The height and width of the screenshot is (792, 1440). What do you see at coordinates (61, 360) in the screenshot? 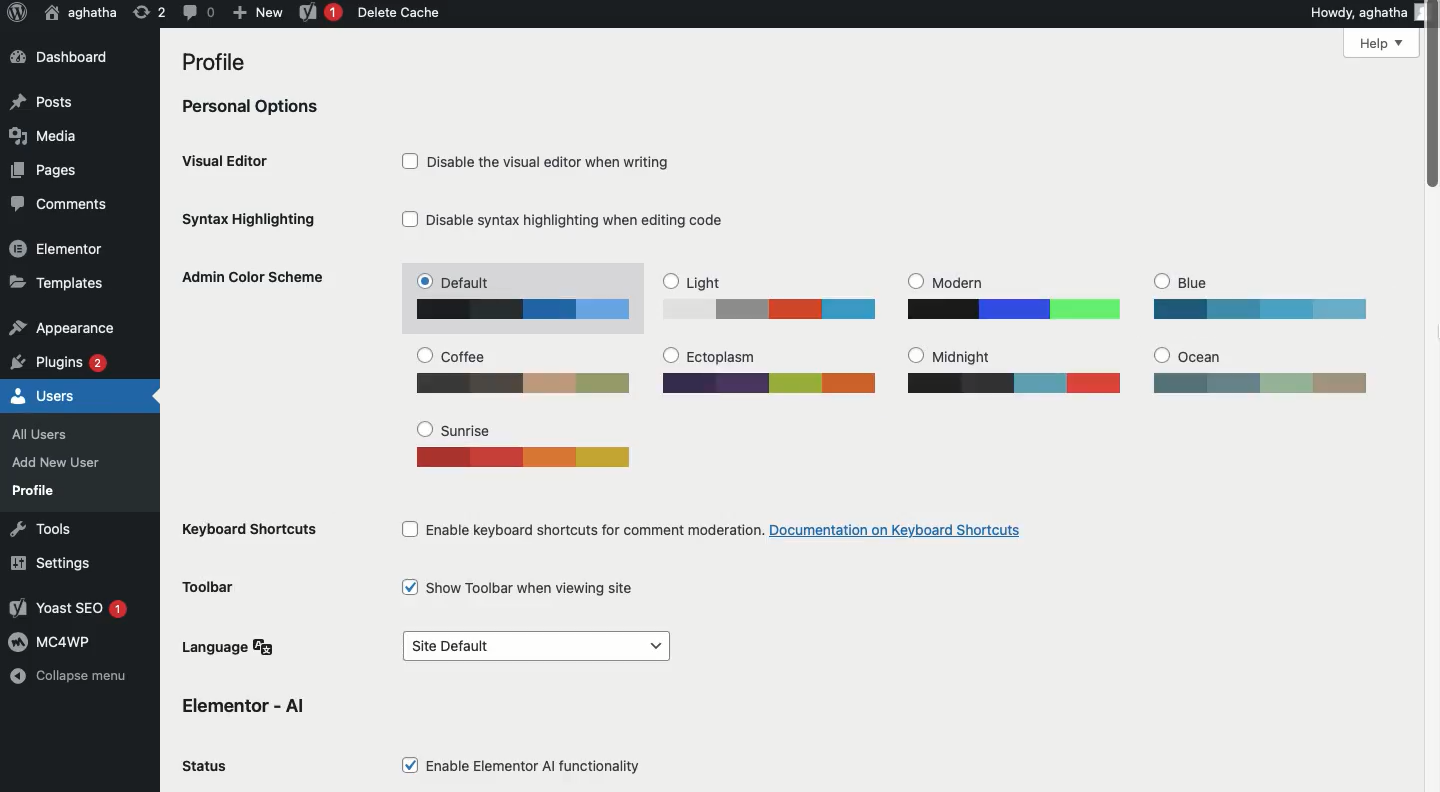
I see `Plugins` at bounding box center [61, 360].